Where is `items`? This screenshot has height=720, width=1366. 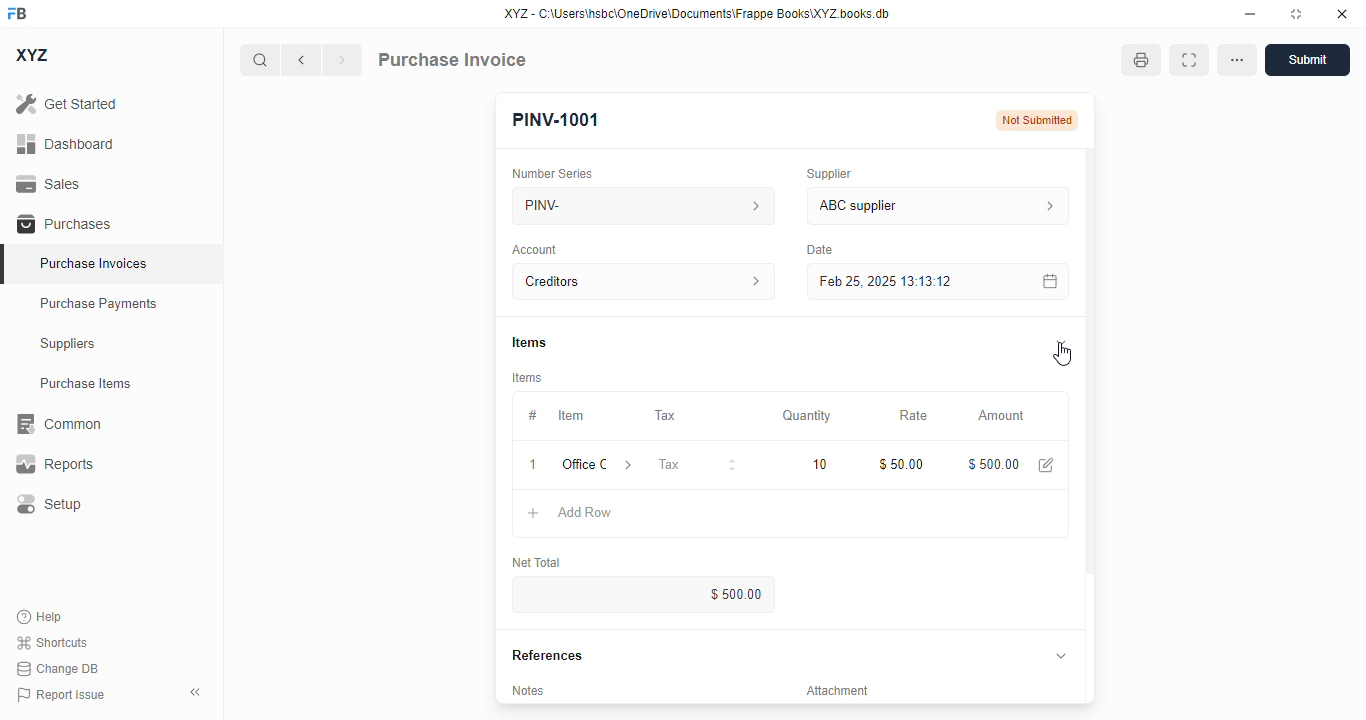 items is located at coordinates (529, 343).